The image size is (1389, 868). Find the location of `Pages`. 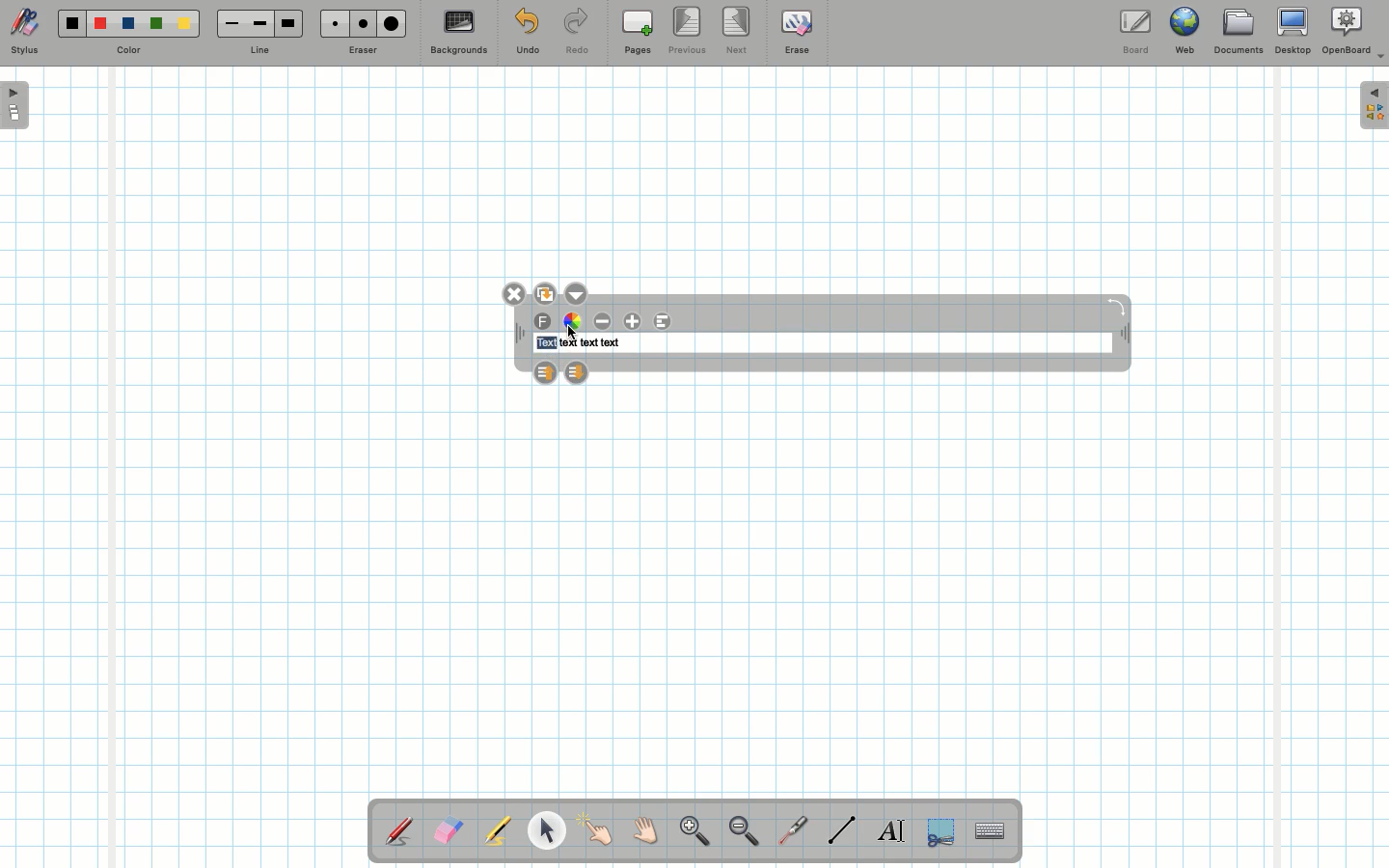

Pages is located at coordinates (638, 34).